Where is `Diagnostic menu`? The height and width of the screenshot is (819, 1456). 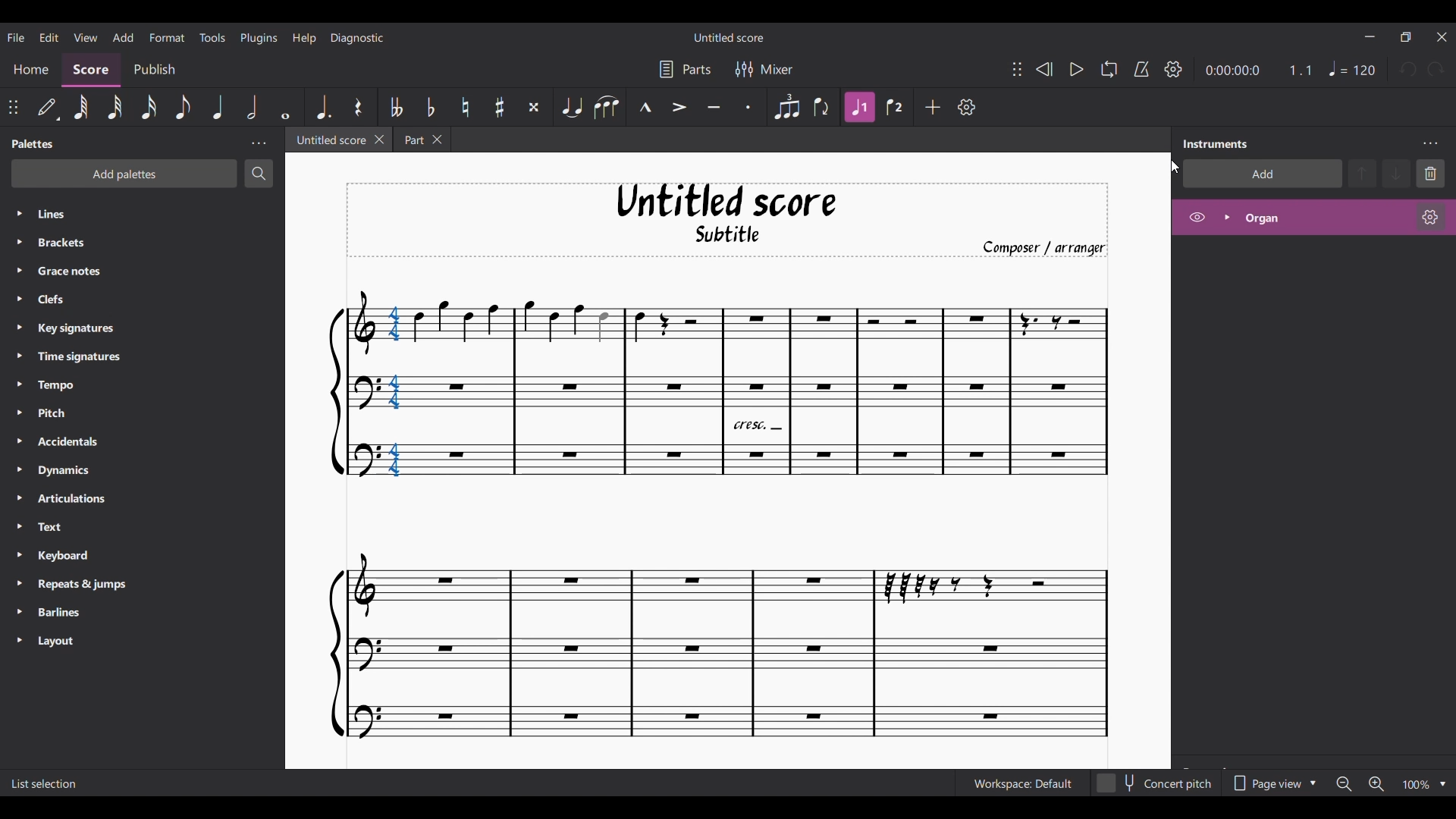
Diagnostic menu is located at coordinates (357, 38).